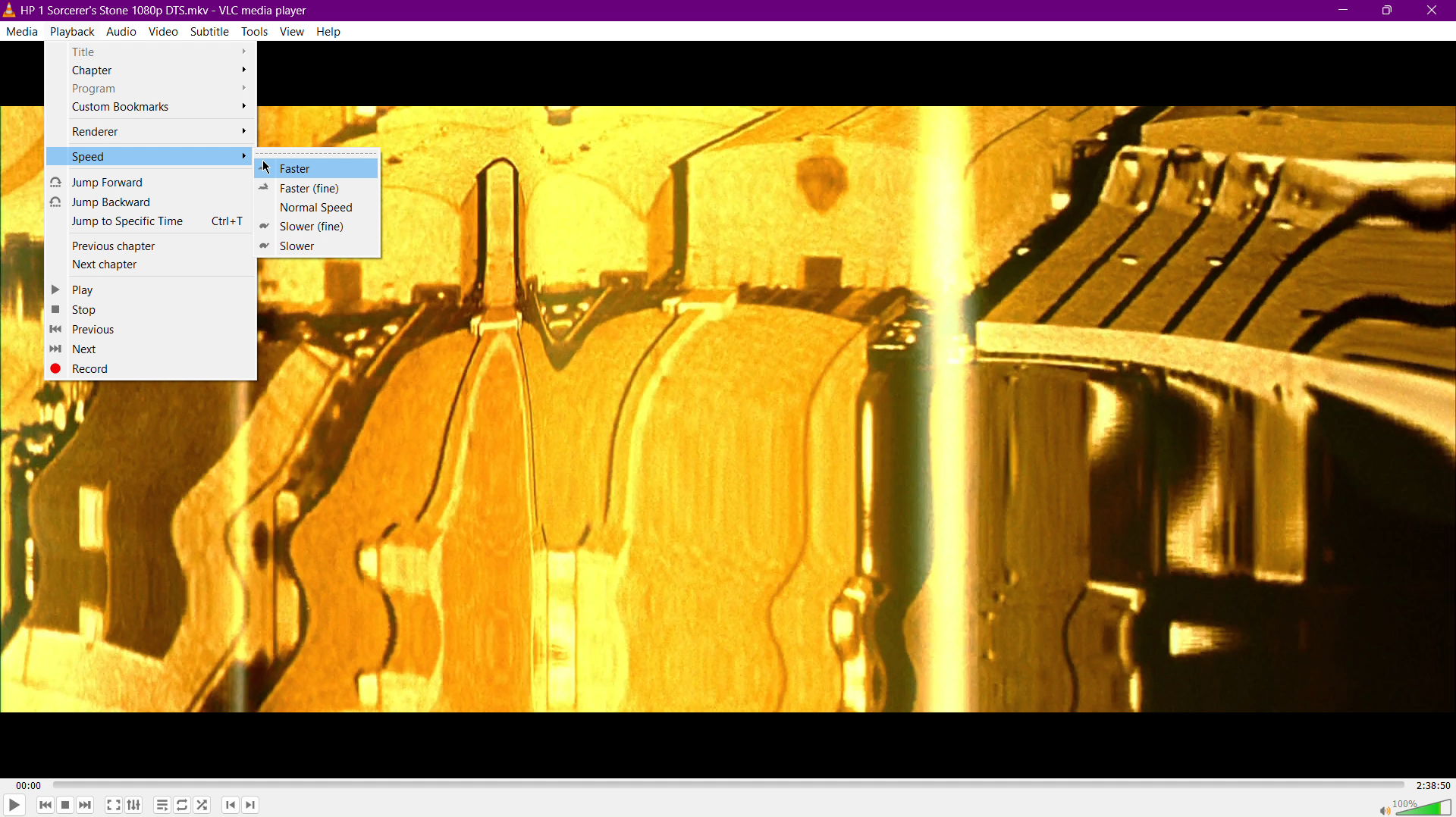  What do you see at coordinates (1389, 11) in the screenshot?
I see `Maximize` at bounding box center [1389, 11].